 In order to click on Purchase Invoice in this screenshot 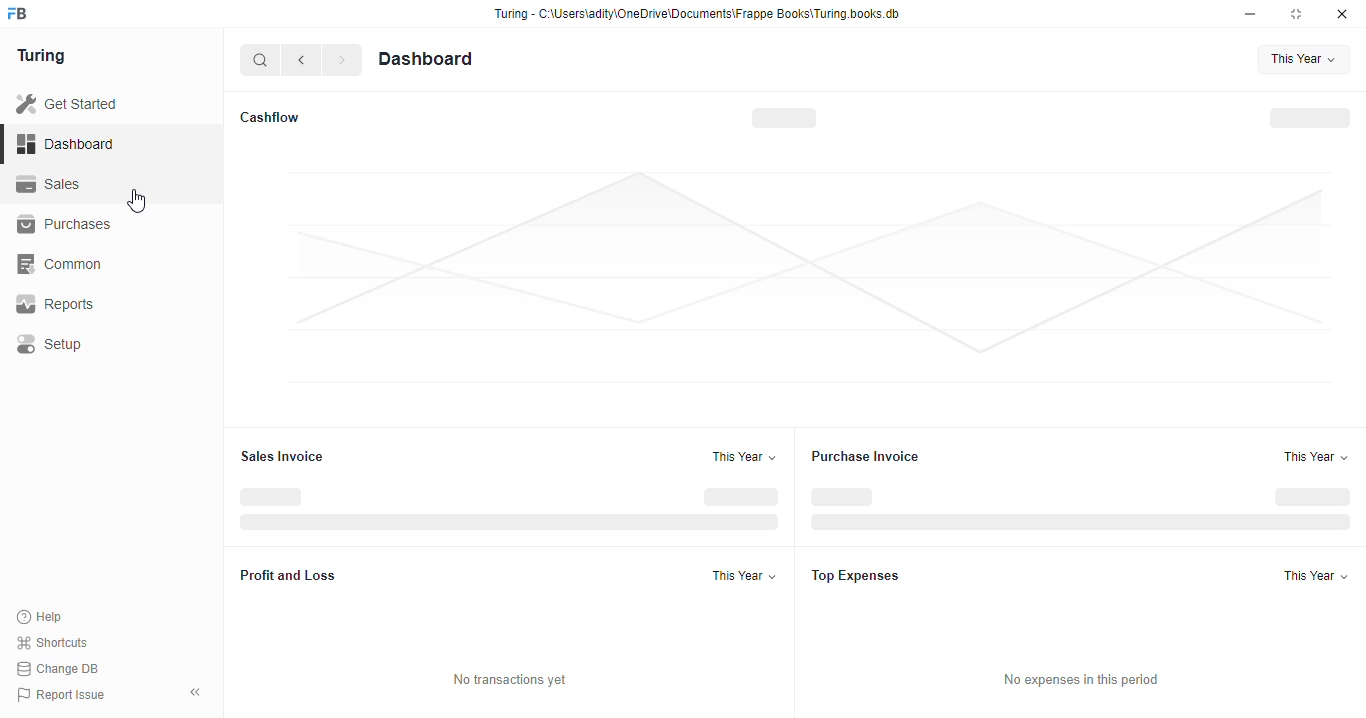, I will do `click(878, 458)`.